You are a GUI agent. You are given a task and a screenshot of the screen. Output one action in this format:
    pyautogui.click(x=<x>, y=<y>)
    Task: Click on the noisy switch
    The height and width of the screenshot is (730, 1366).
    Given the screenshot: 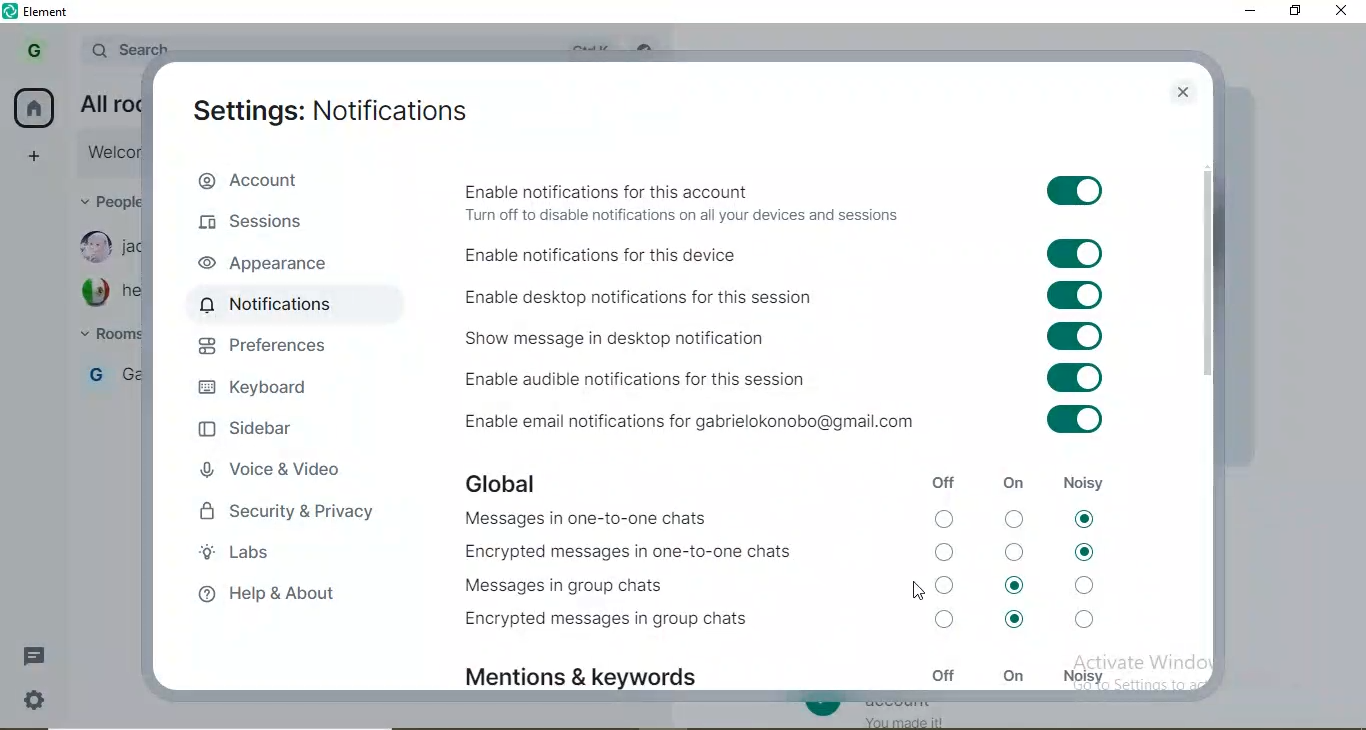 What is the action you would take?
    pyautogui.click(x=1086, y=619)
    